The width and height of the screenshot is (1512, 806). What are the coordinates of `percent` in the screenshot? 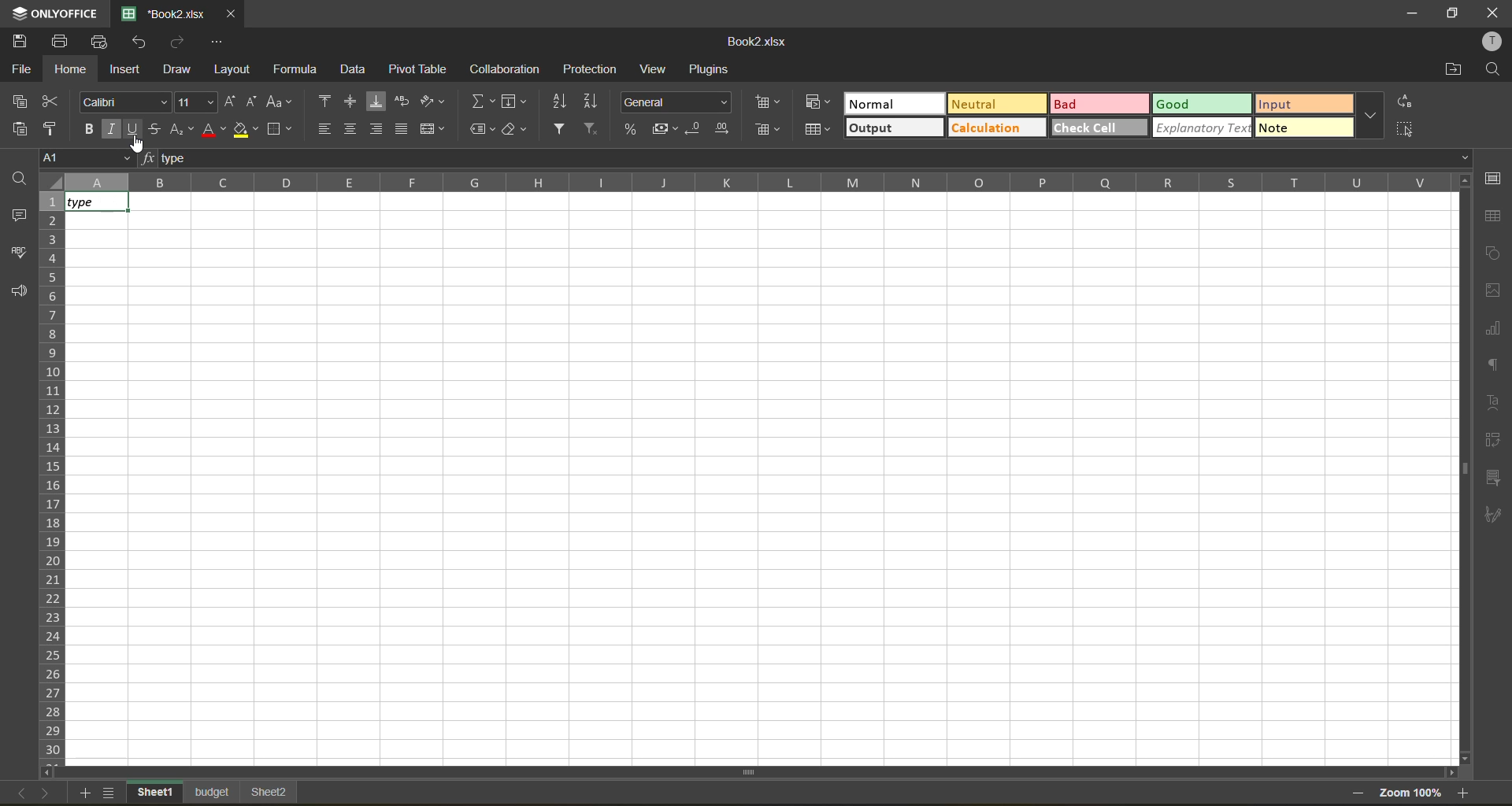 It's located at (631, 131).